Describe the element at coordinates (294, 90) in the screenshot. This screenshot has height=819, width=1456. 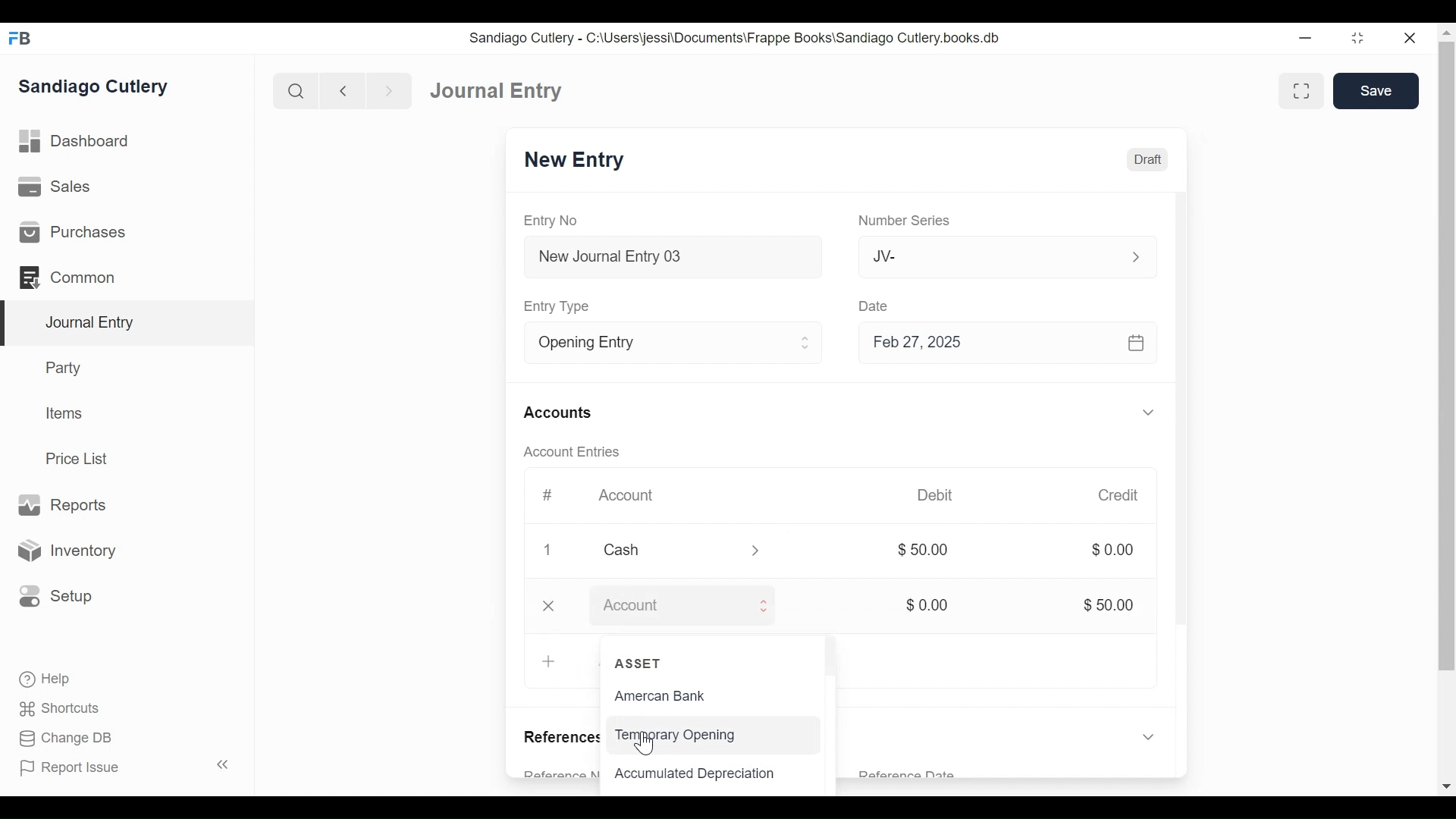
I see `Search` at that location.